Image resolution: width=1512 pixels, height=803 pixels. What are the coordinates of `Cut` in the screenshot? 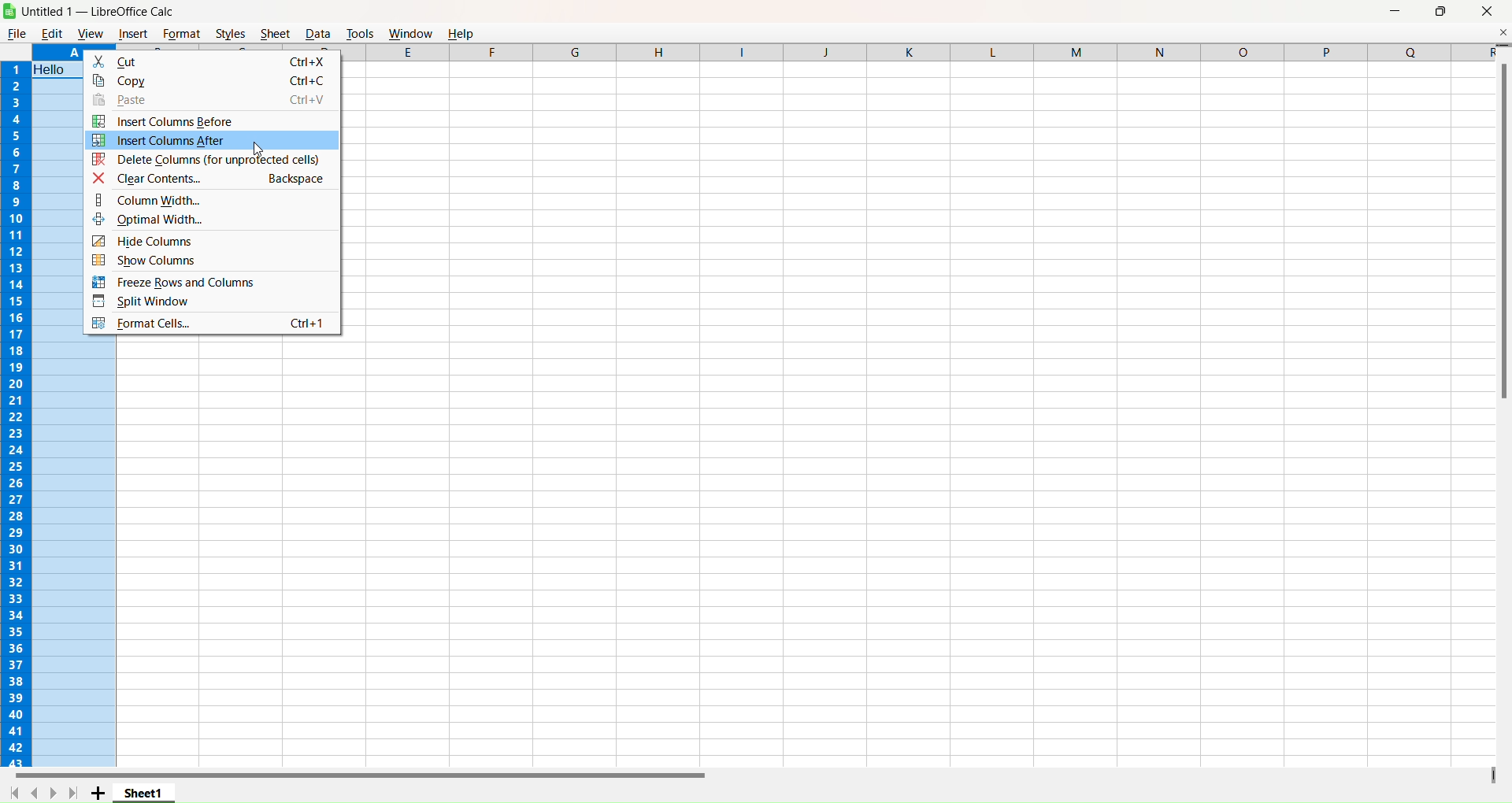 It's located at (214, 61).